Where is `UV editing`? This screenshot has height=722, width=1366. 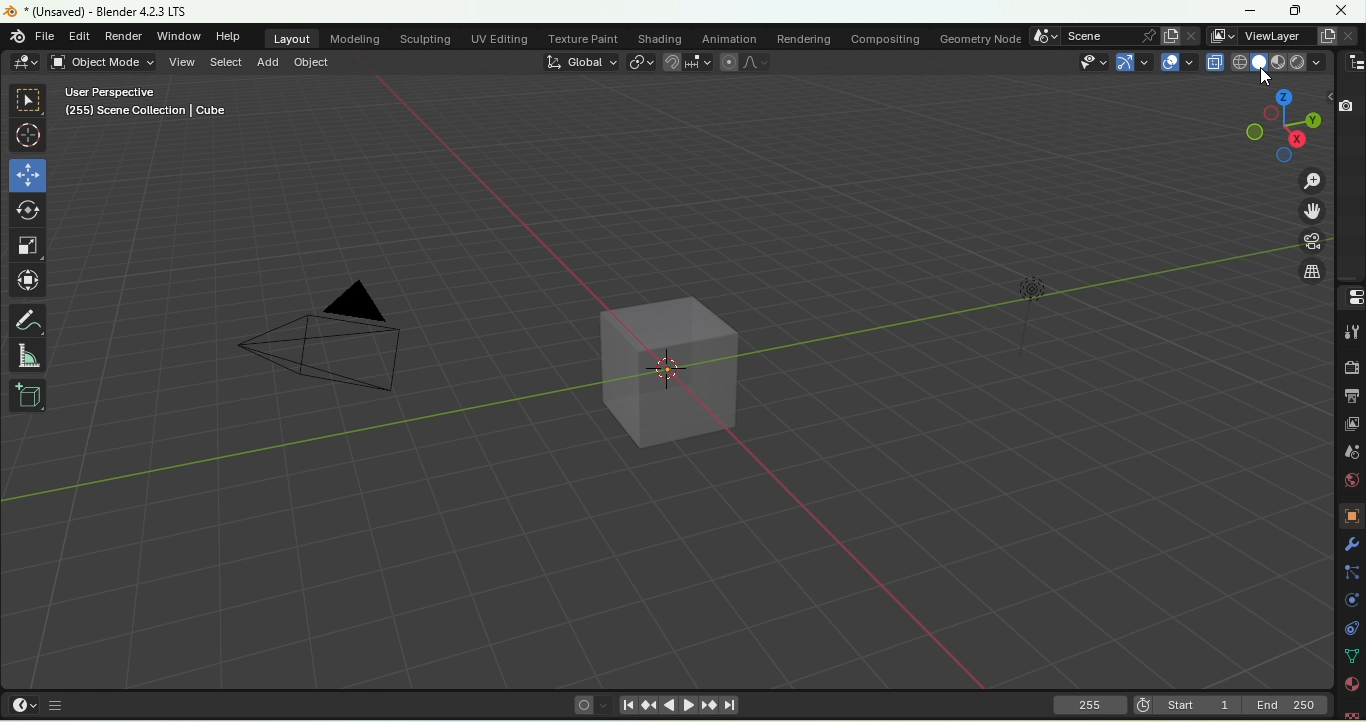 UV editing is located at coordinates (498, 38).